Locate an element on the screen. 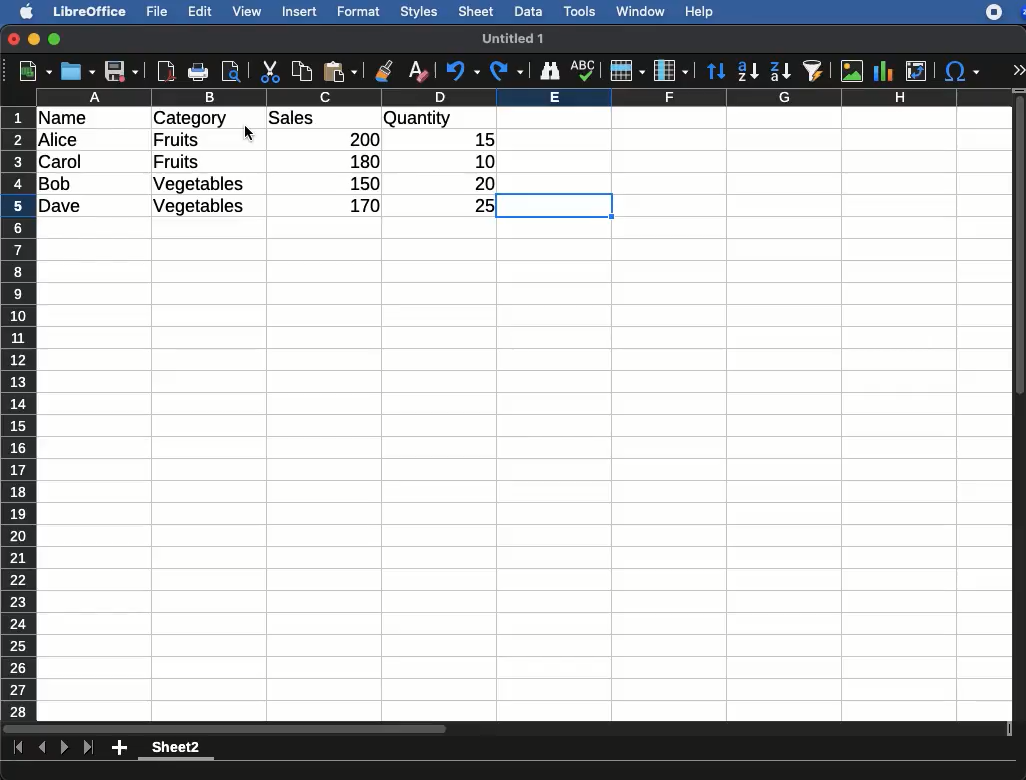 This screenshot has height=780, width=1026. close is located at coordinates (15, 41).